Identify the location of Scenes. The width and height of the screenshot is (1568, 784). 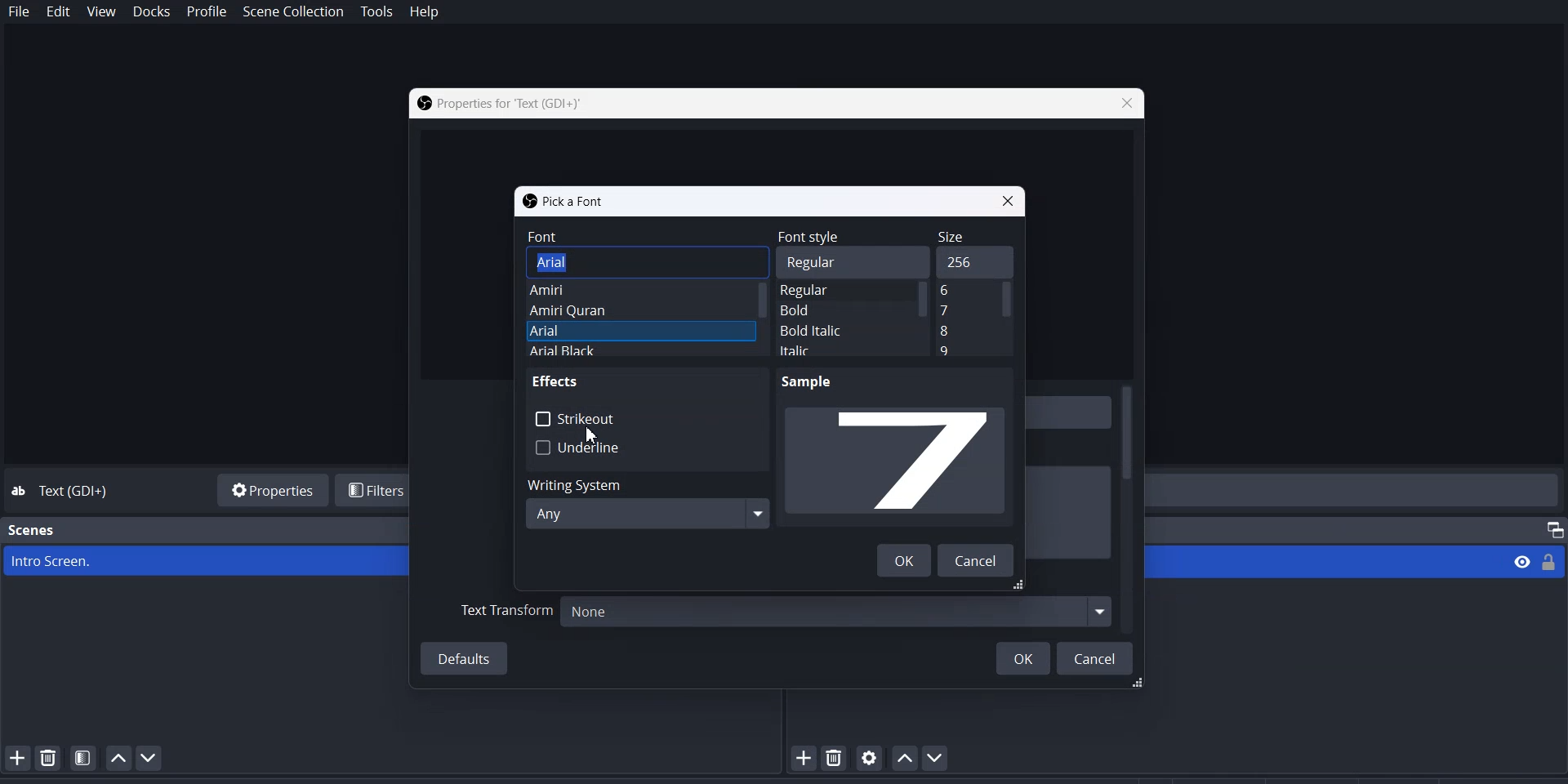
(33, 530).